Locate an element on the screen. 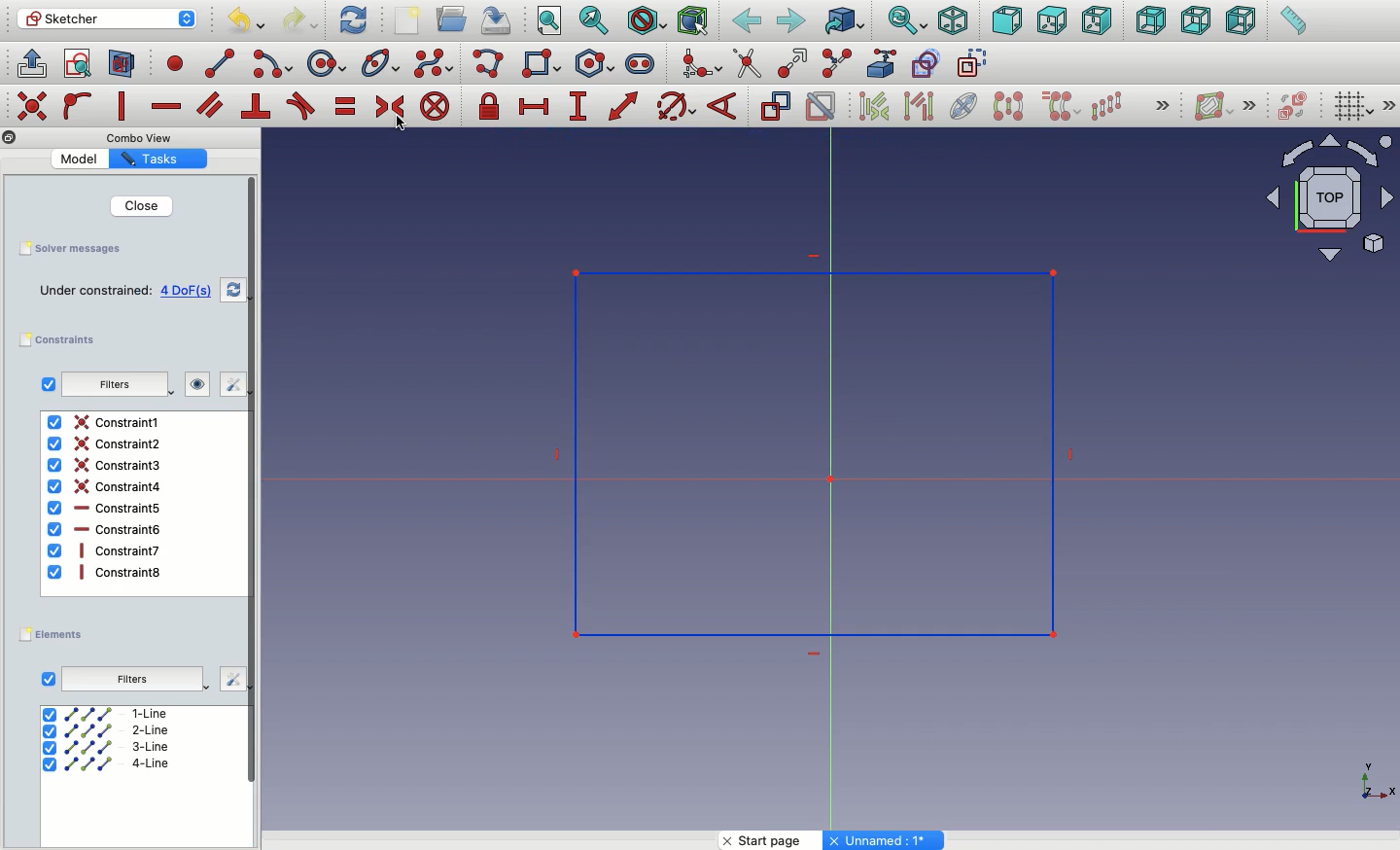 This screenshot has height=850, width=1400. refresh is located at coordinates (233, 290).